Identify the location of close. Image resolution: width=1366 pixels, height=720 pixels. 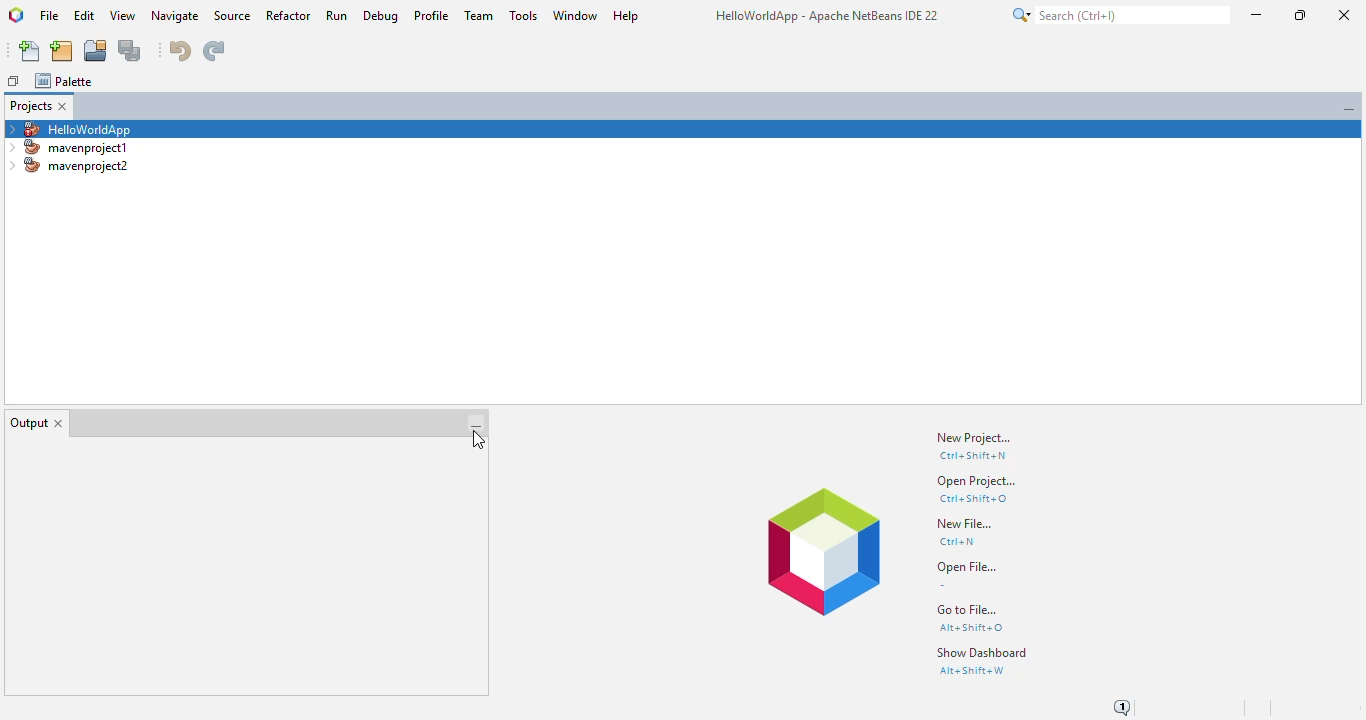
(1345, 15).